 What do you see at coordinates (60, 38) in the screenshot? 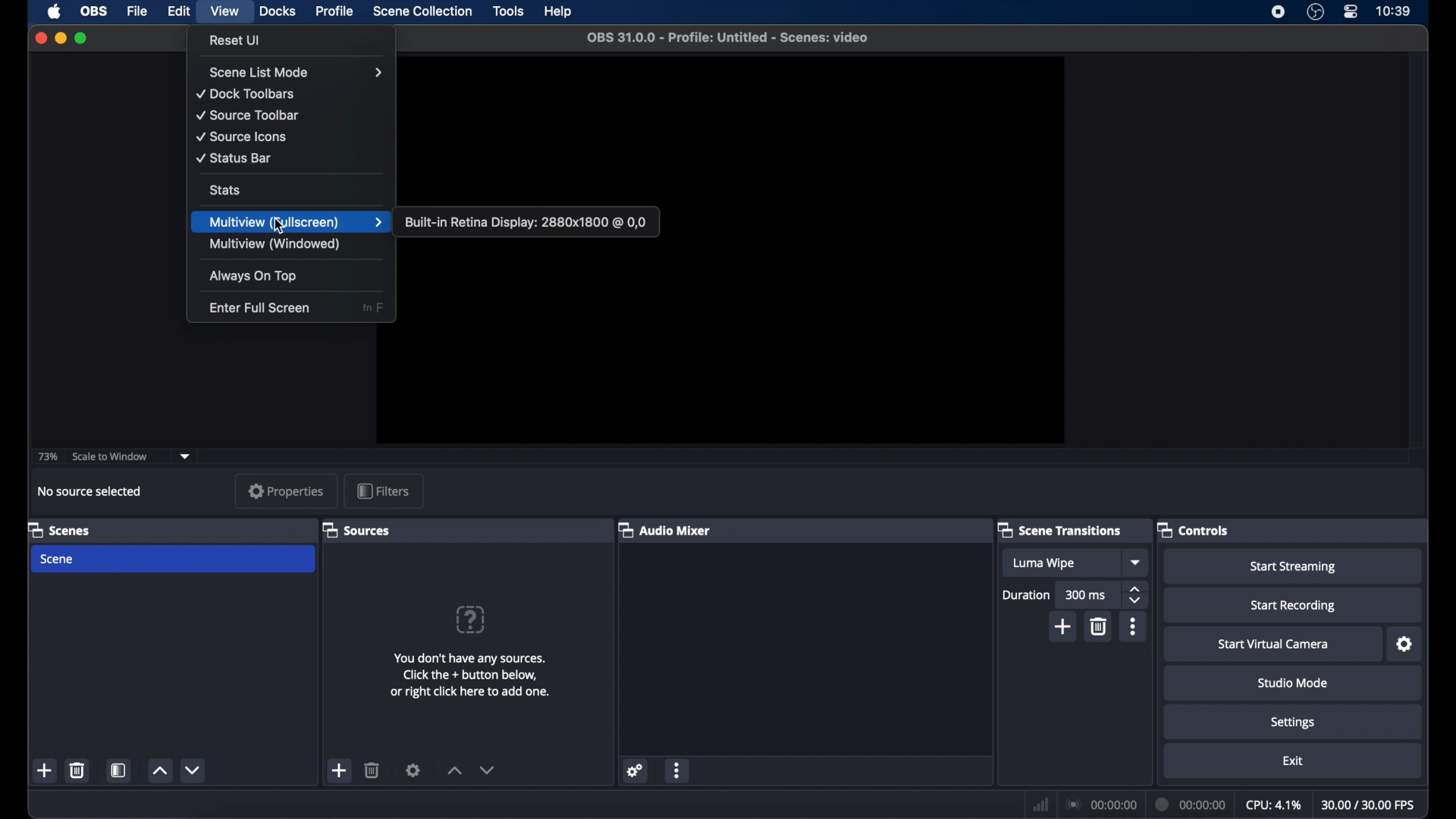
I see `minimize` at bounding box center [60, 38].